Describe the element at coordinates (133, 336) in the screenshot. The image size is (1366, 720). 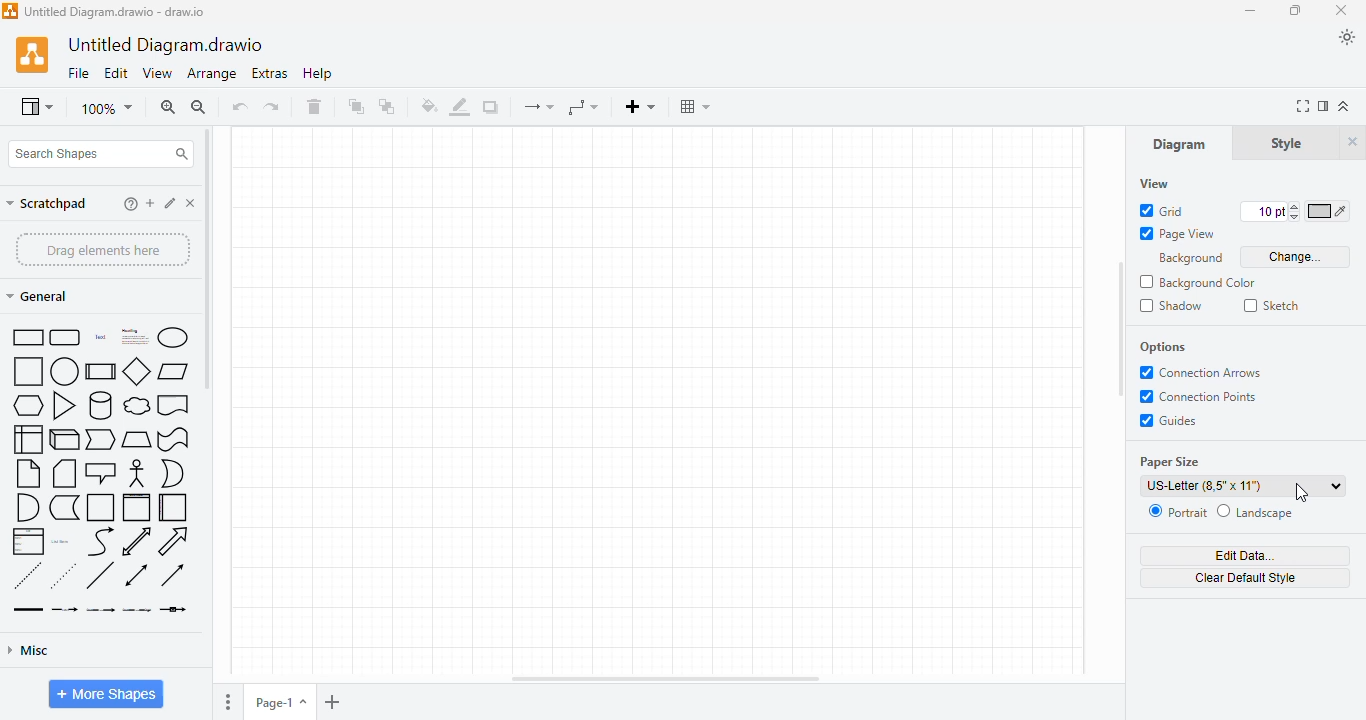
I see `heading` at that location.